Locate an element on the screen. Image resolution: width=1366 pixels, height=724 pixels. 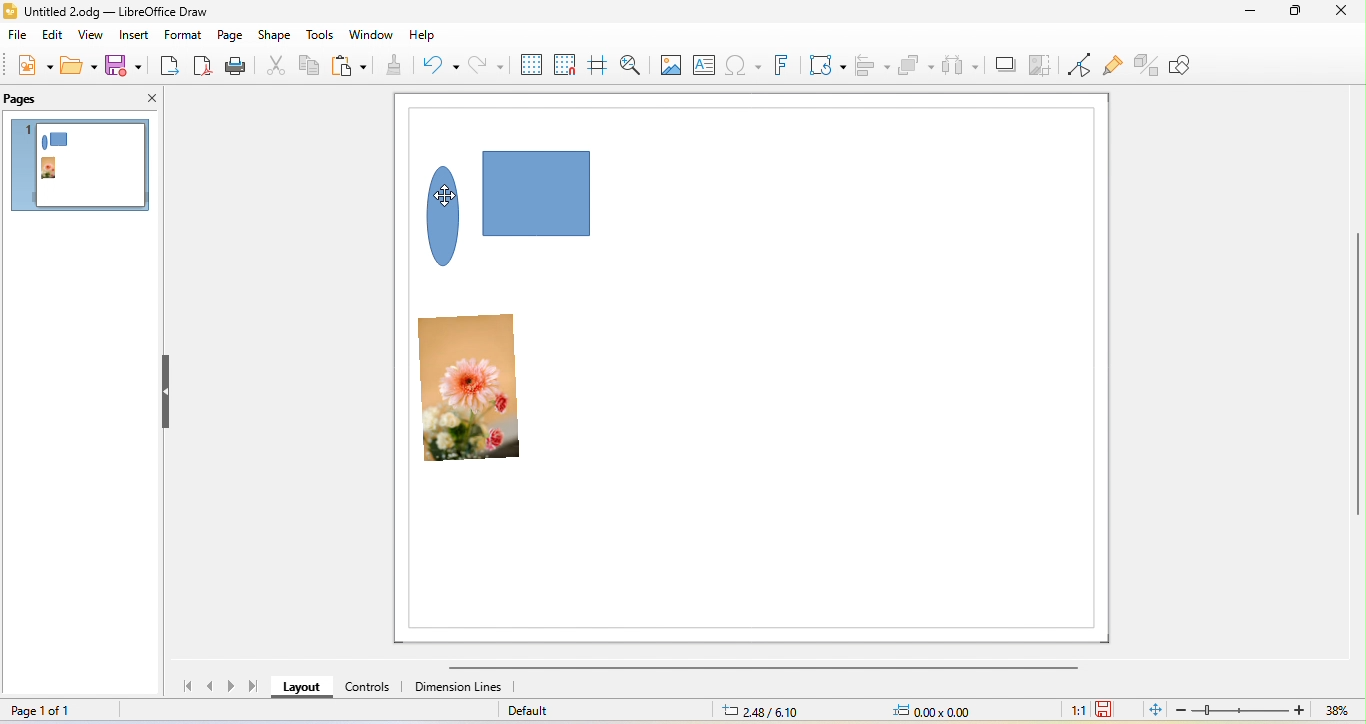
show draw function is located at coordinates (1192, 67).